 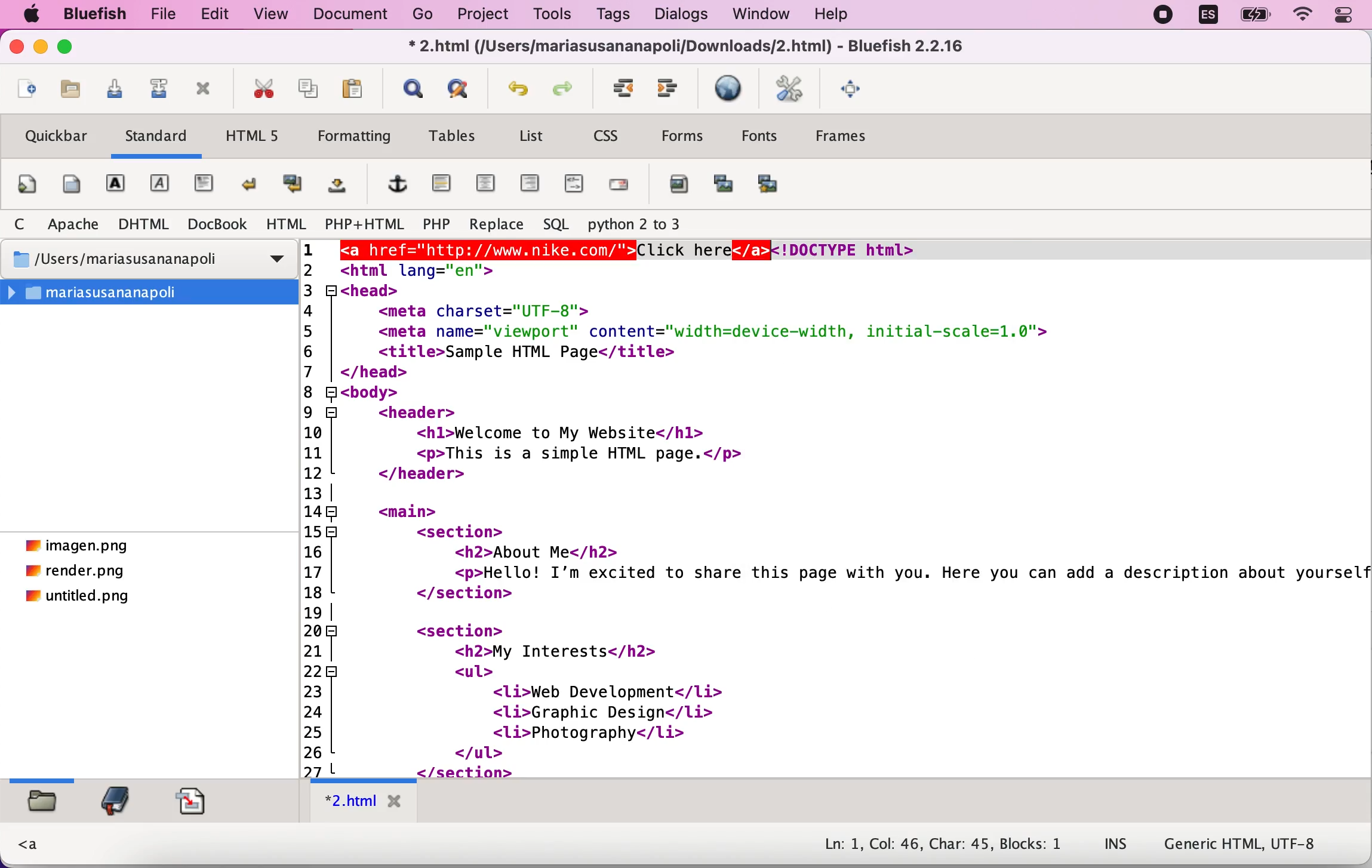 What do you see at coordinates (682, 14) in the screenshot?
I see `dialogs` at bounding box center [682, 14].